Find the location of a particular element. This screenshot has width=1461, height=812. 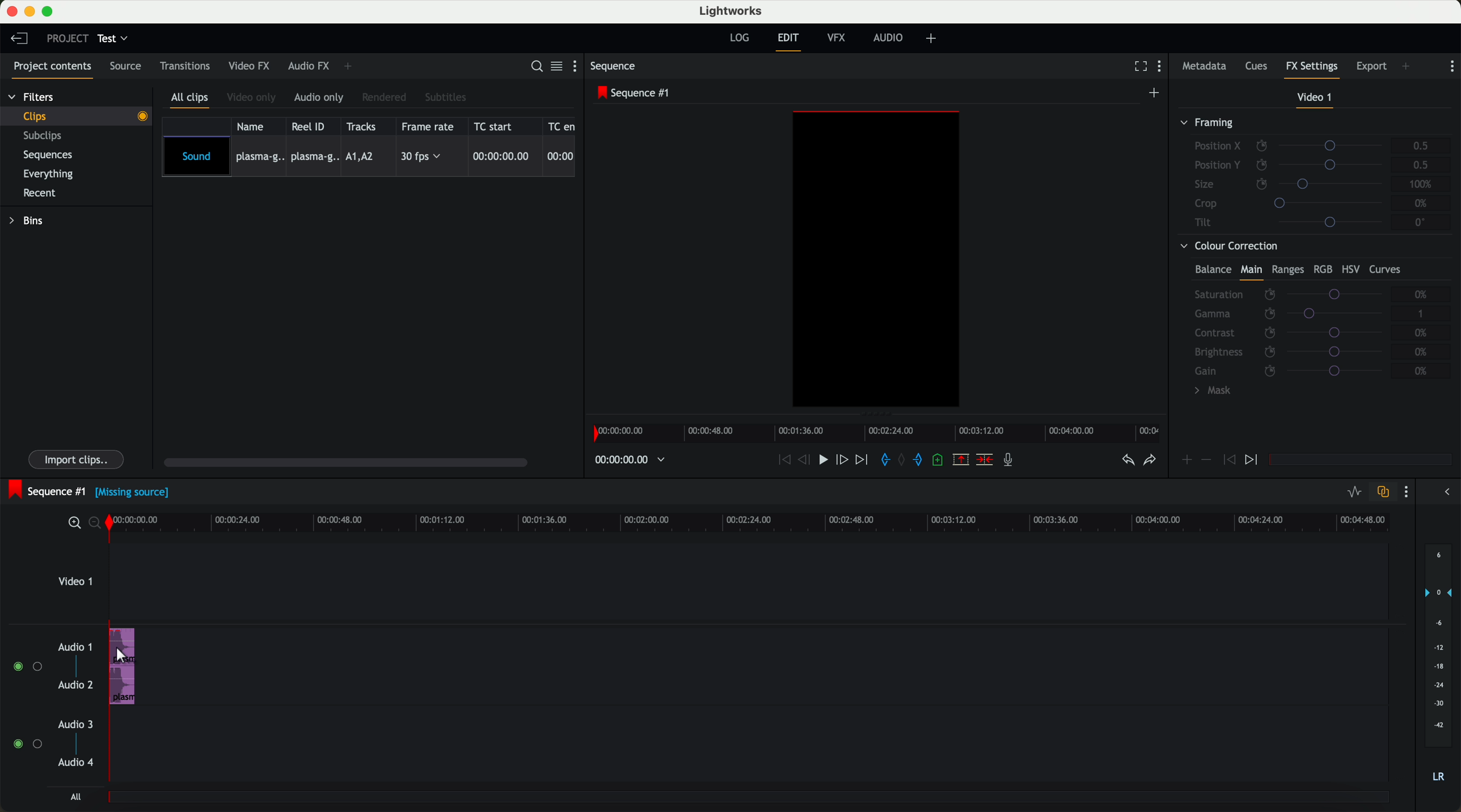

jump to previous keyframe is located at coordinates (1230, 463).